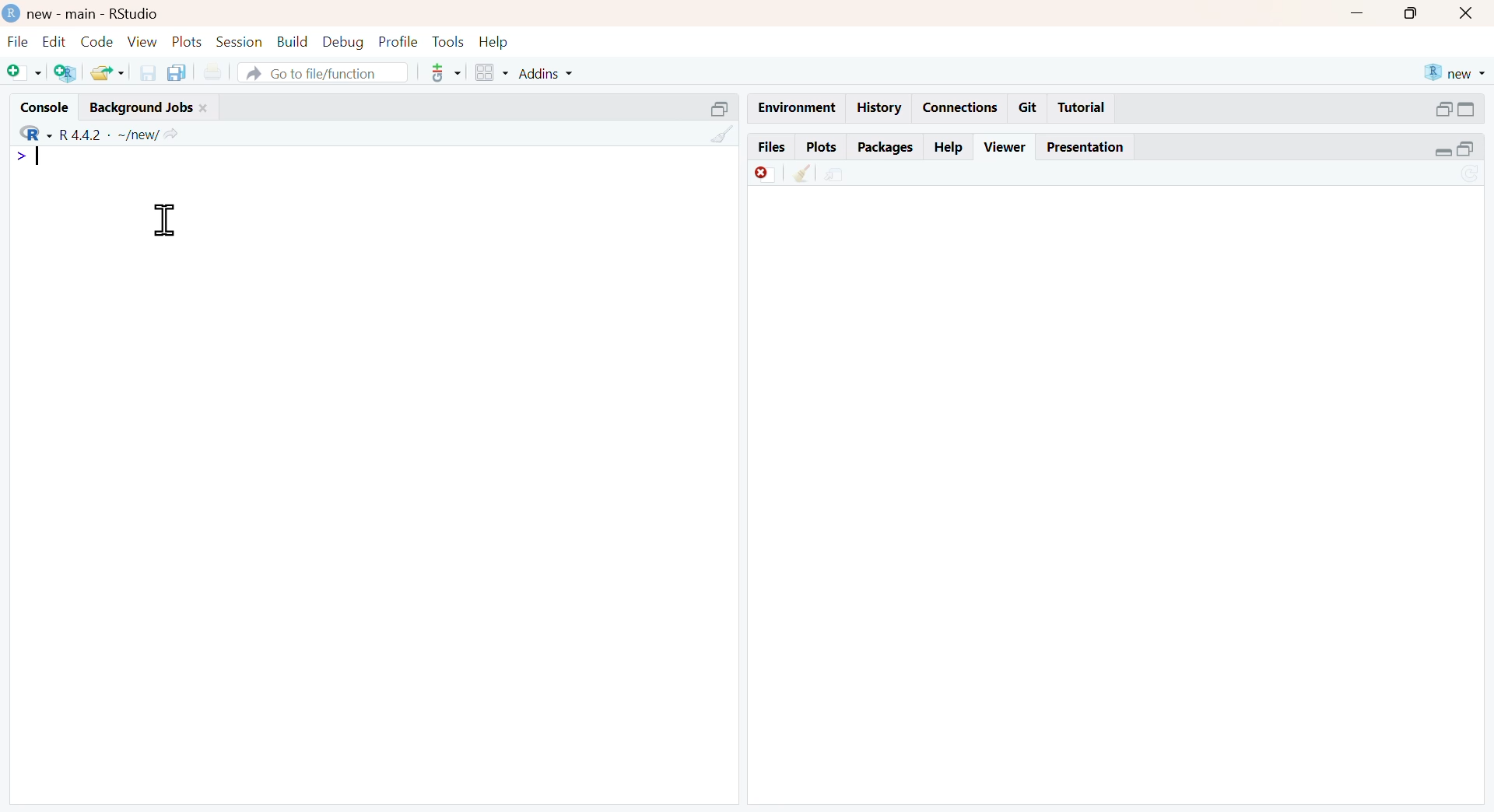 The height and width of the screenshot is (812, 1494). Describe the element at coordinates (316, 73) in the screenshot. I see `A Go to file/function` at that location.